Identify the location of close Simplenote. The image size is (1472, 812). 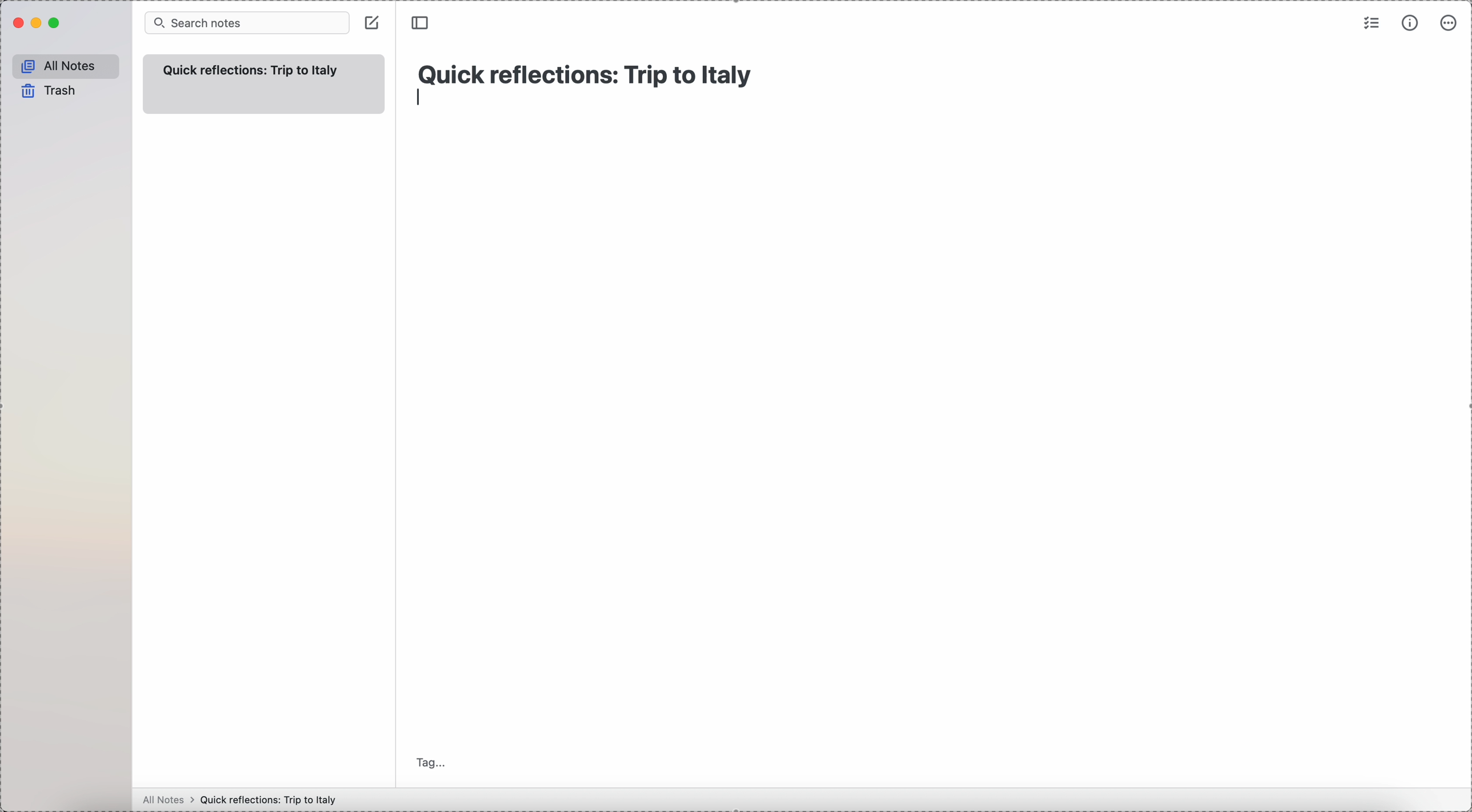
(17, 23).